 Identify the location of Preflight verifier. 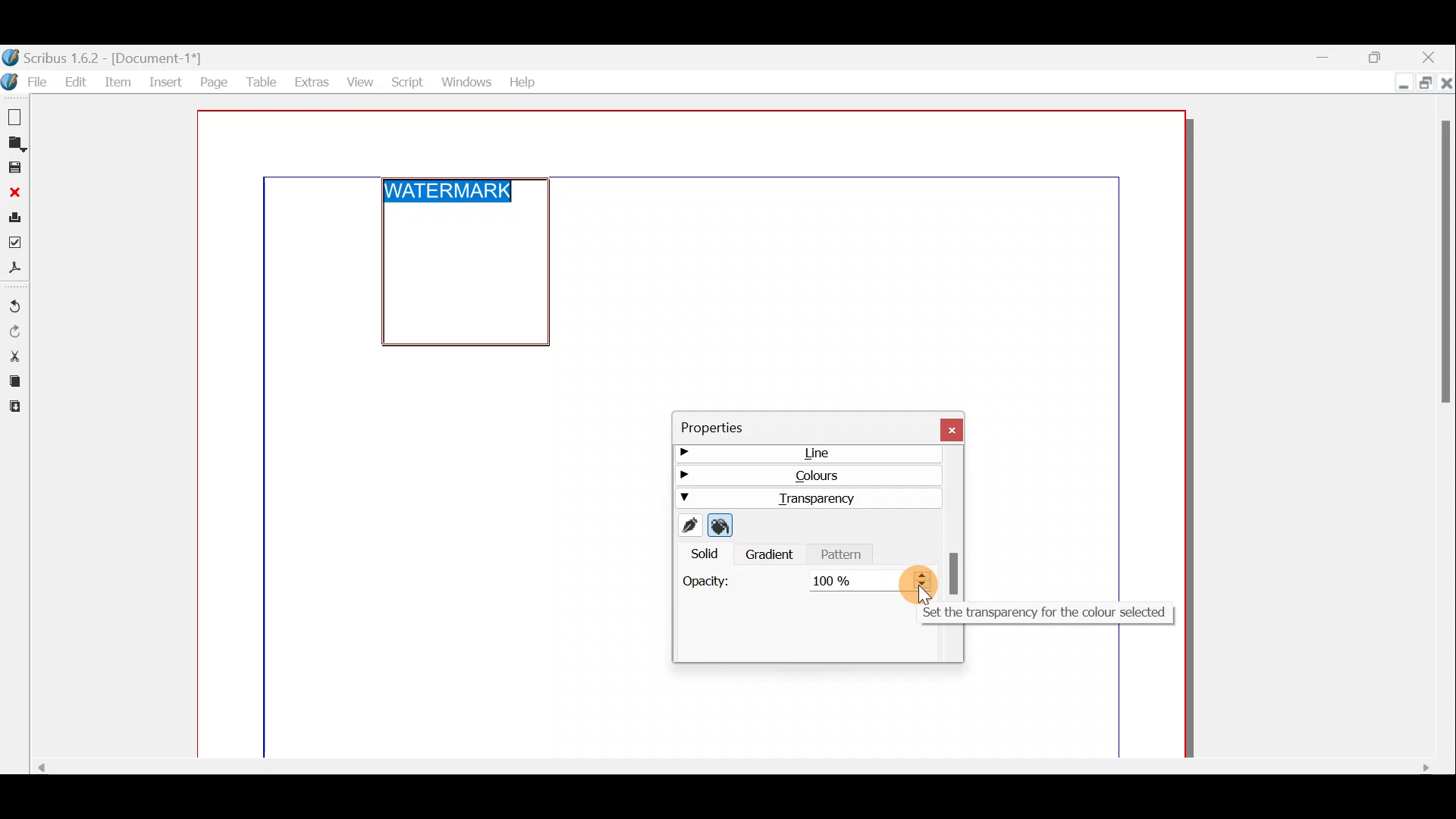
(15, 246).